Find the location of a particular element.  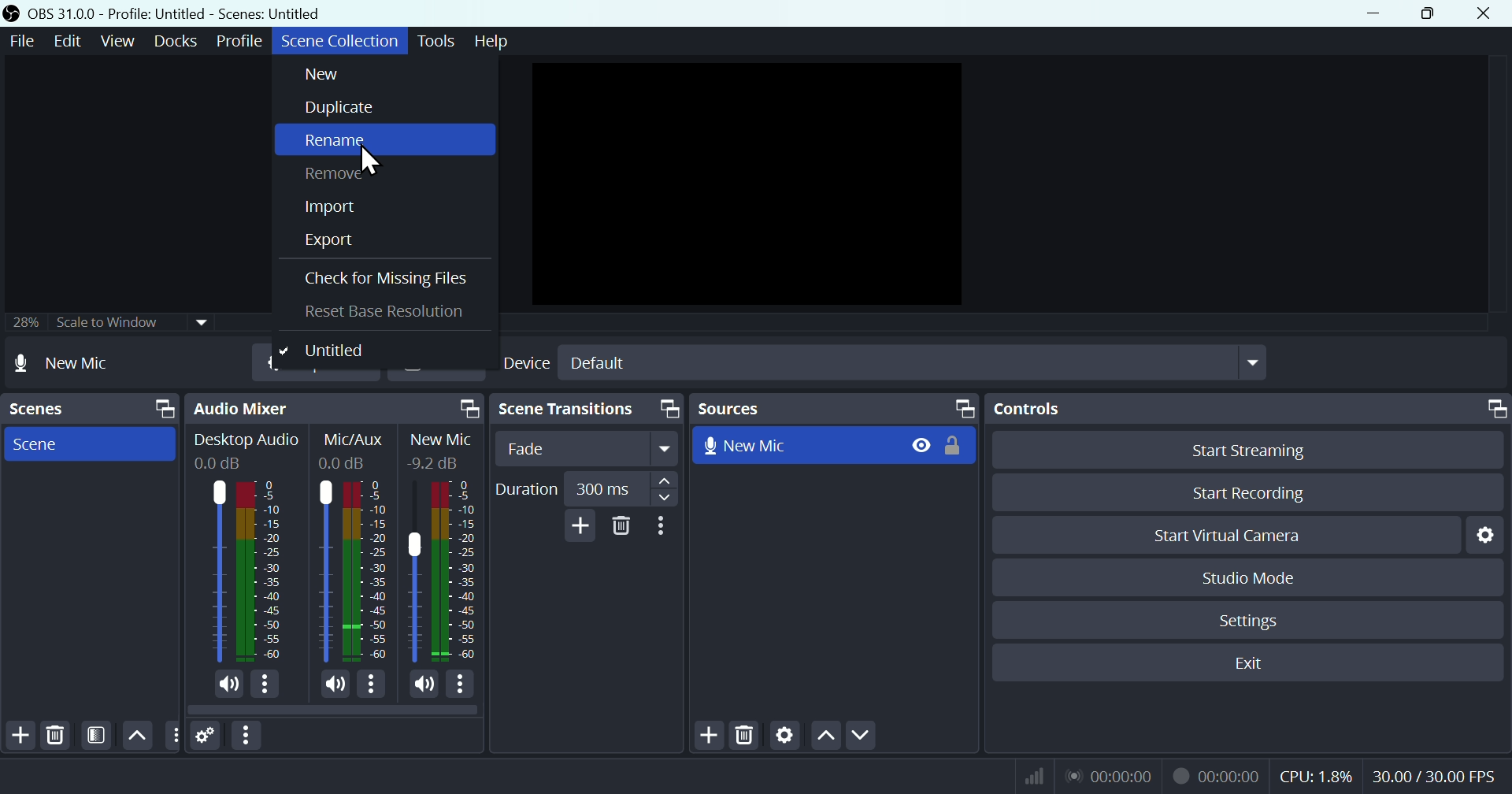

Audio mixer is located at coordinates (336, 407).